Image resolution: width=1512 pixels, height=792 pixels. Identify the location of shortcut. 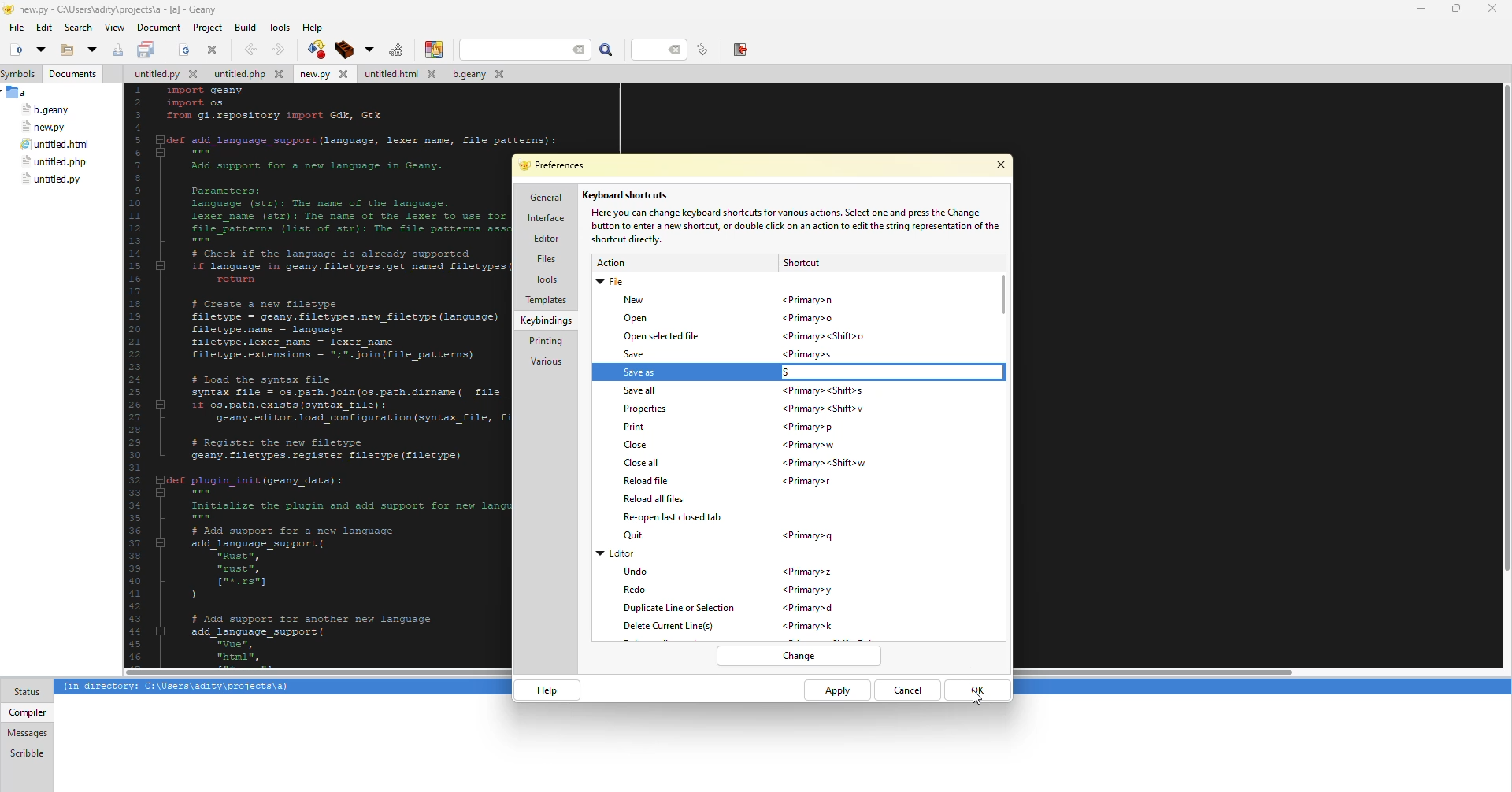
(808, 299).